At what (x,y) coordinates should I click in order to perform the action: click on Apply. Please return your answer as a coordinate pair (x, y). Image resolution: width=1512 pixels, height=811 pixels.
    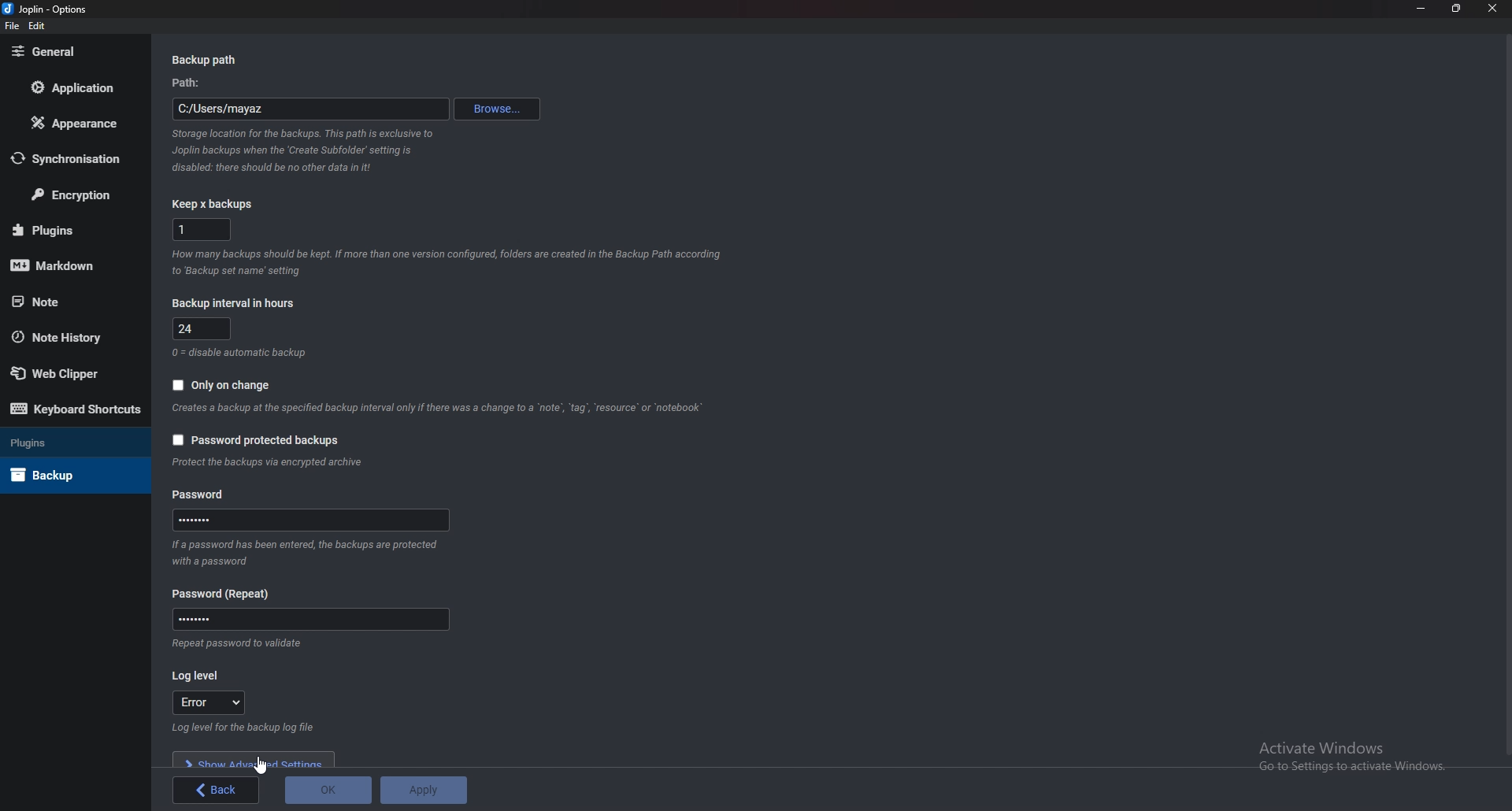
    Looking at the image, I should click on (423, 790).